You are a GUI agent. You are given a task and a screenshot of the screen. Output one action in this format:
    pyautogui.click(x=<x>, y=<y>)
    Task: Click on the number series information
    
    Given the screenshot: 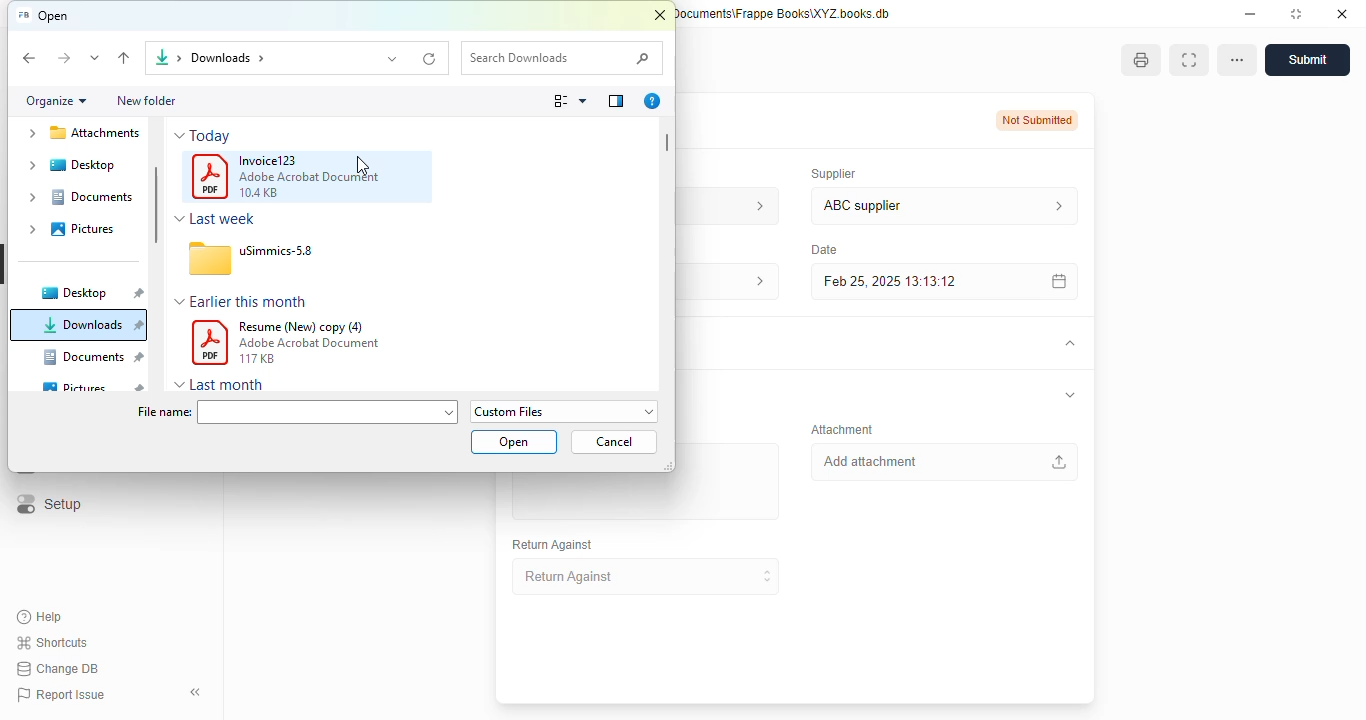 What is the action you would take?
    pyautogui.click(x=754, y=205)
    